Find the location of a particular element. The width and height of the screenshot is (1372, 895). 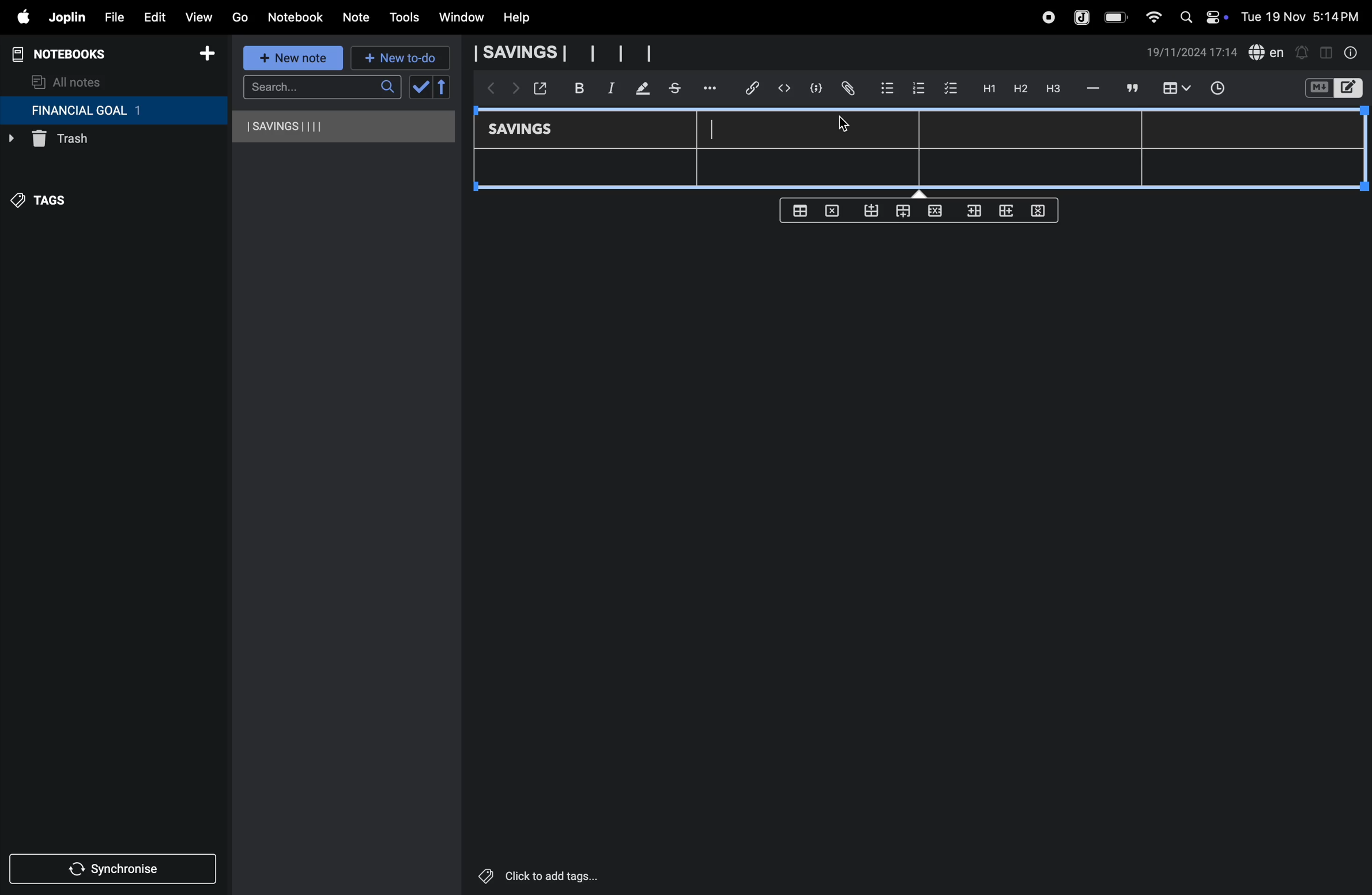

tools is located at coordinates (402, 17).